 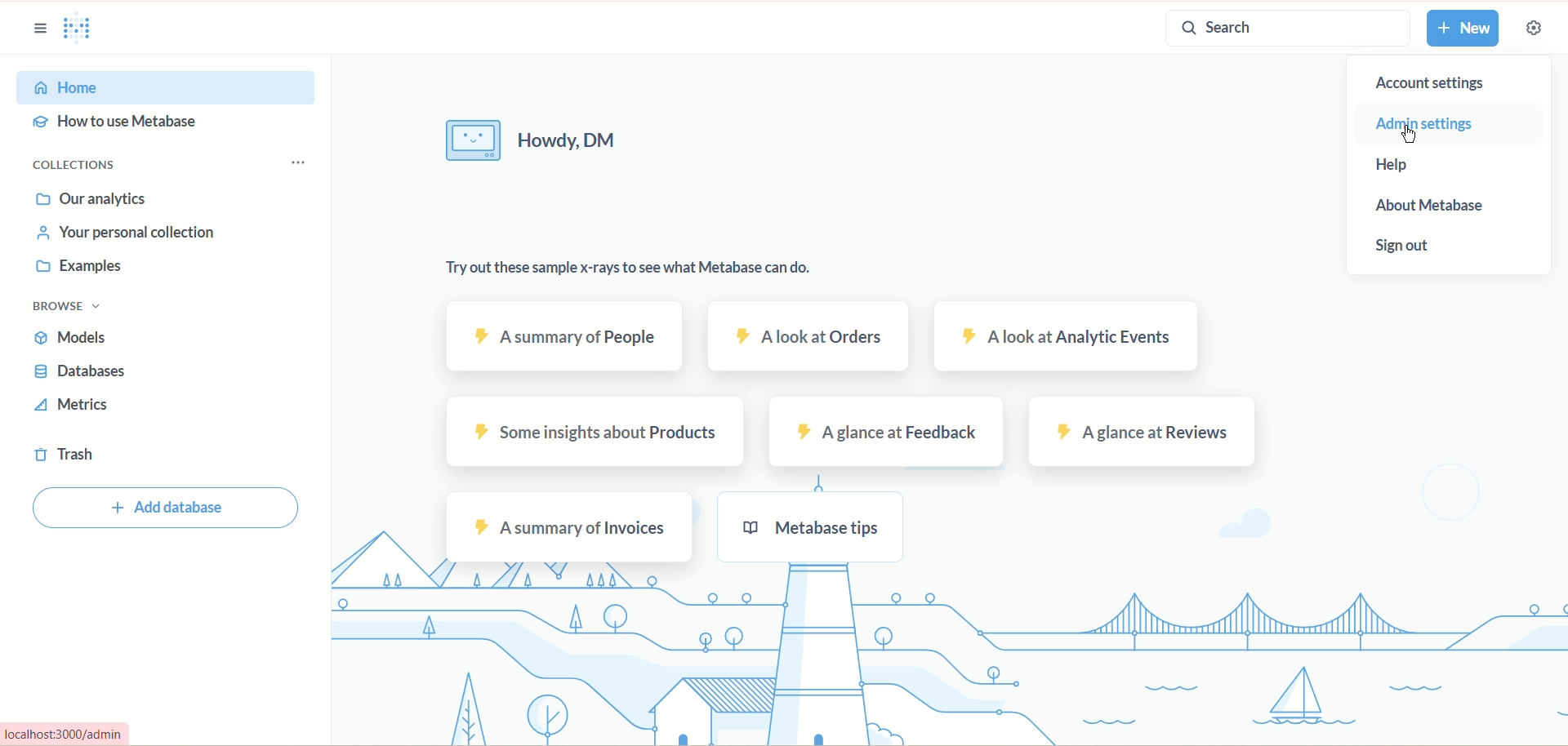 I want to click on databases, so click(x=85, y=371).